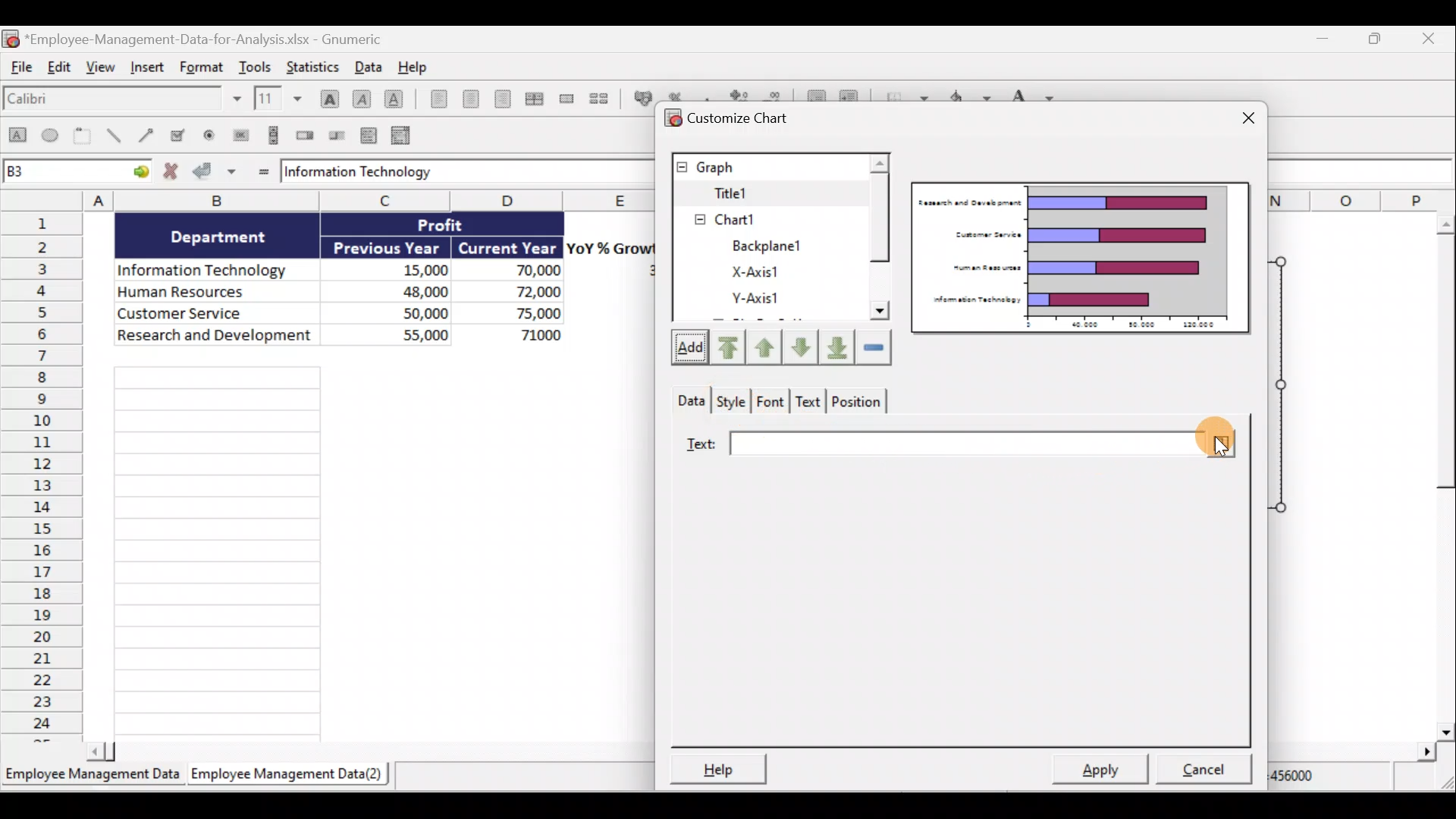  Describe the element at coordinates (534, 96) in the screenshot. I see `Centre horizontally across the selection` at that location.